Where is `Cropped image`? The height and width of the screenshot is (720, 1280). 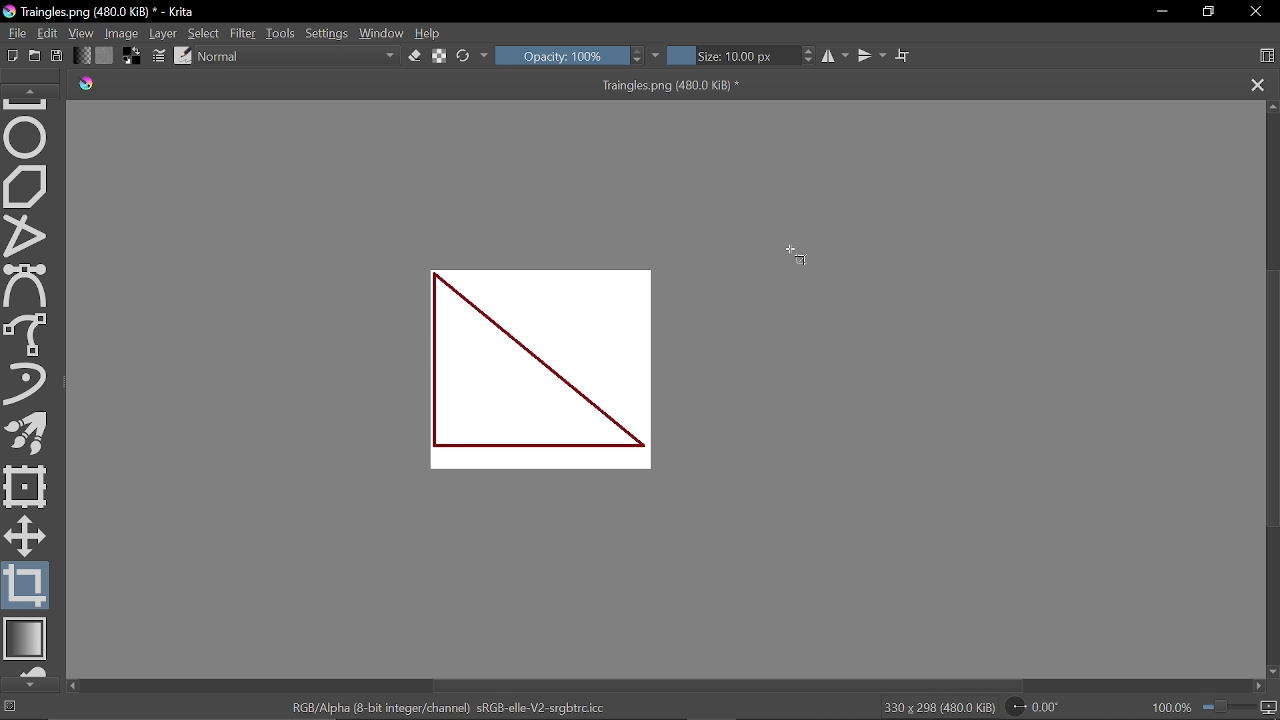
Cropped image is located at coordinates (545, 371).